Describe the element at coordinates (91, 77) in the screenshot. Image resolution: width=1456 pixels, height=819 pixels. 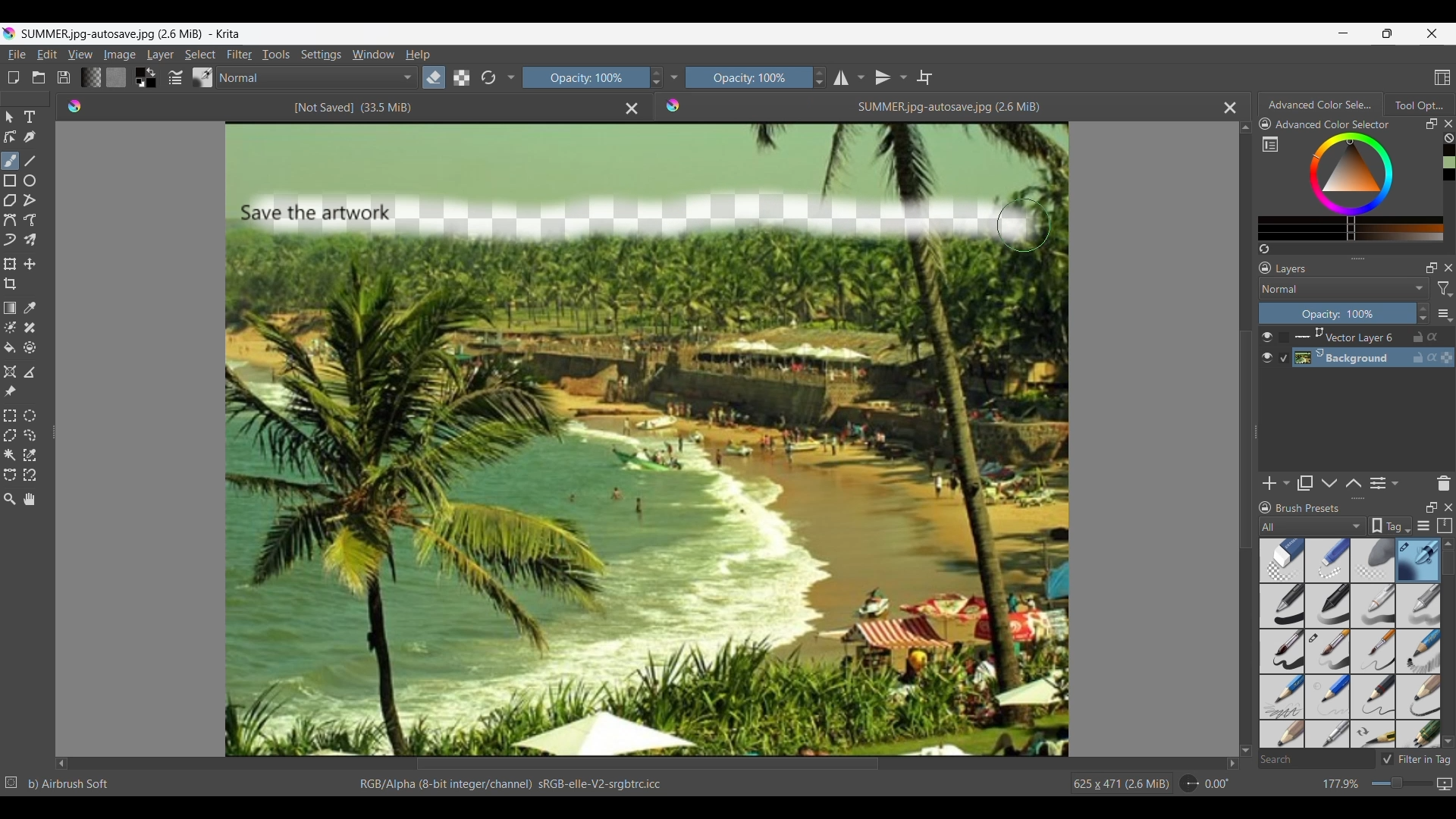
I see `Fill gradients` at that location.